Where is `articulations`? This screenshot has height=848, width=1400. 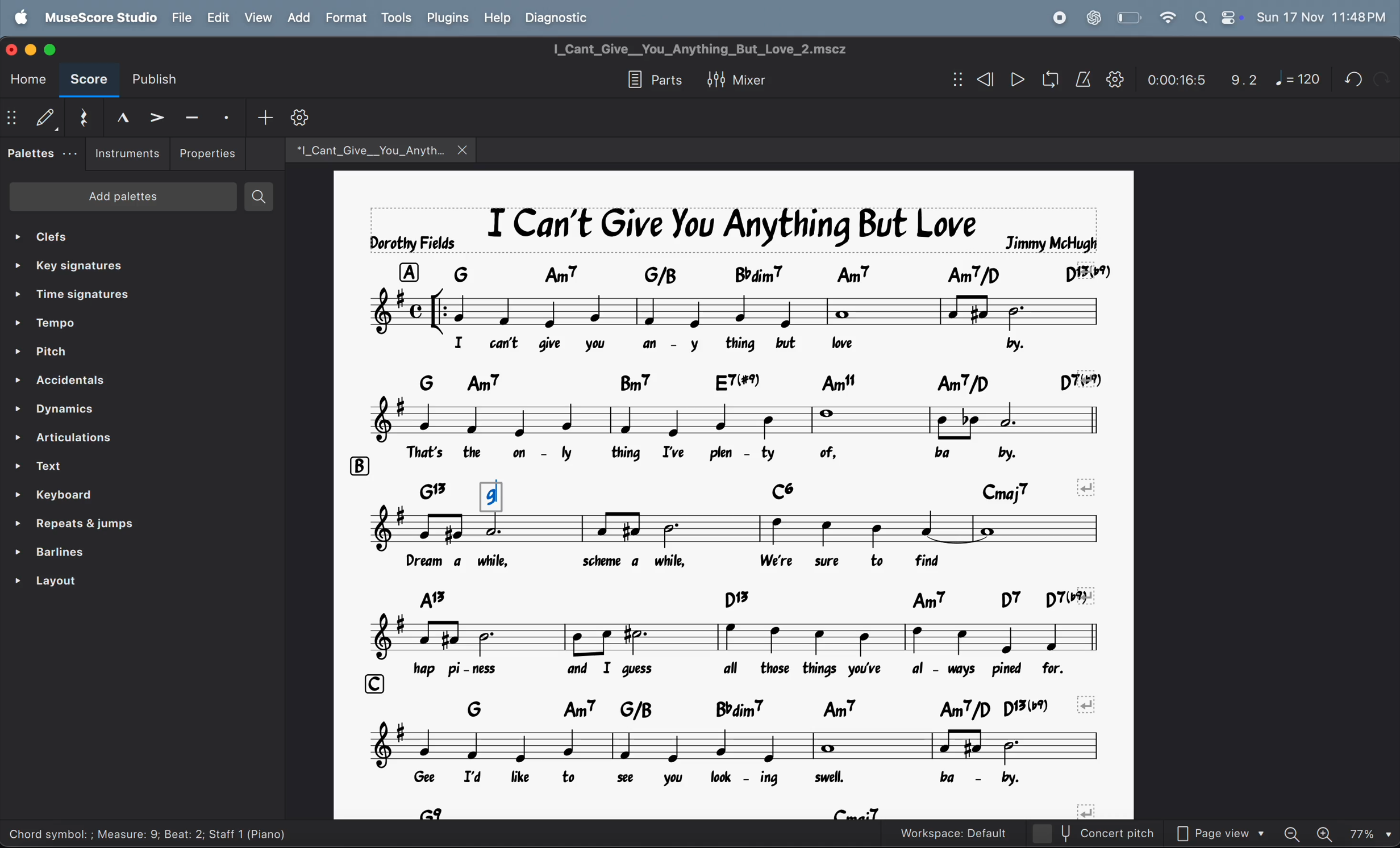
articulations is located at coordinates (124, 440).